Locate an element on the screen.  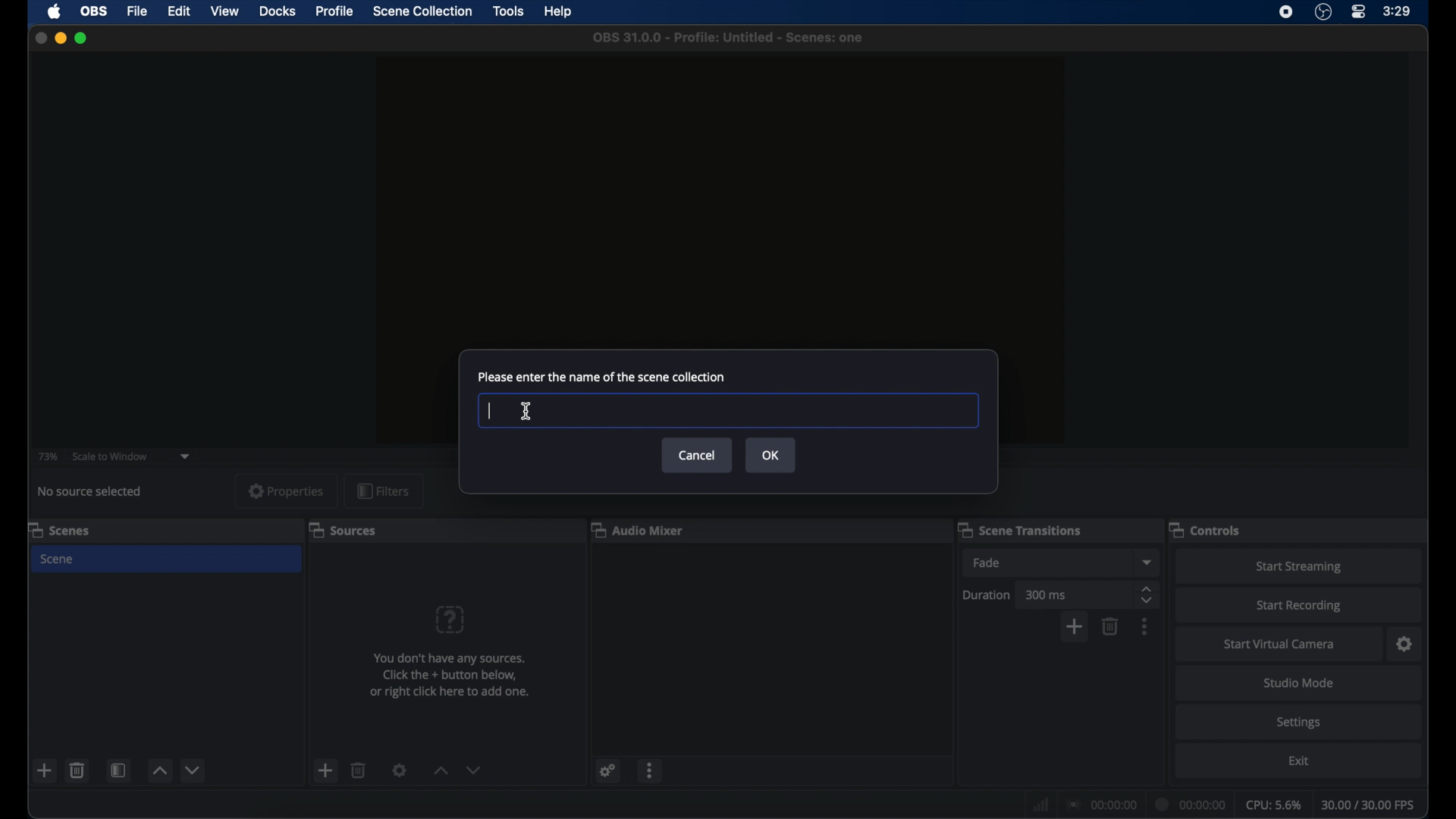
add is located at coordinates (1074, 628).